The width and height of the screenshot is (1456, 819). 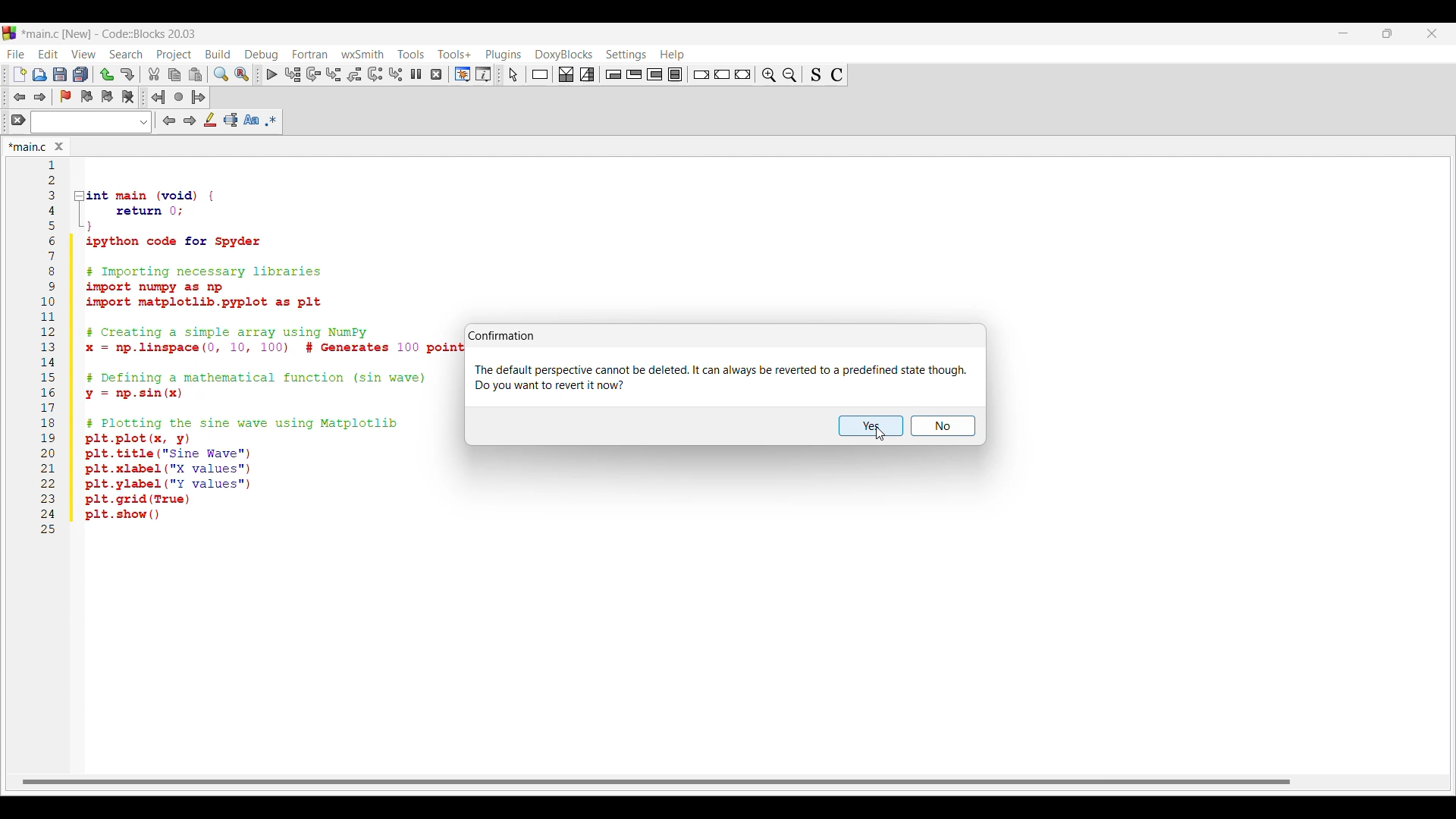 I want to click on Help menu, so click(x=673, y=55).